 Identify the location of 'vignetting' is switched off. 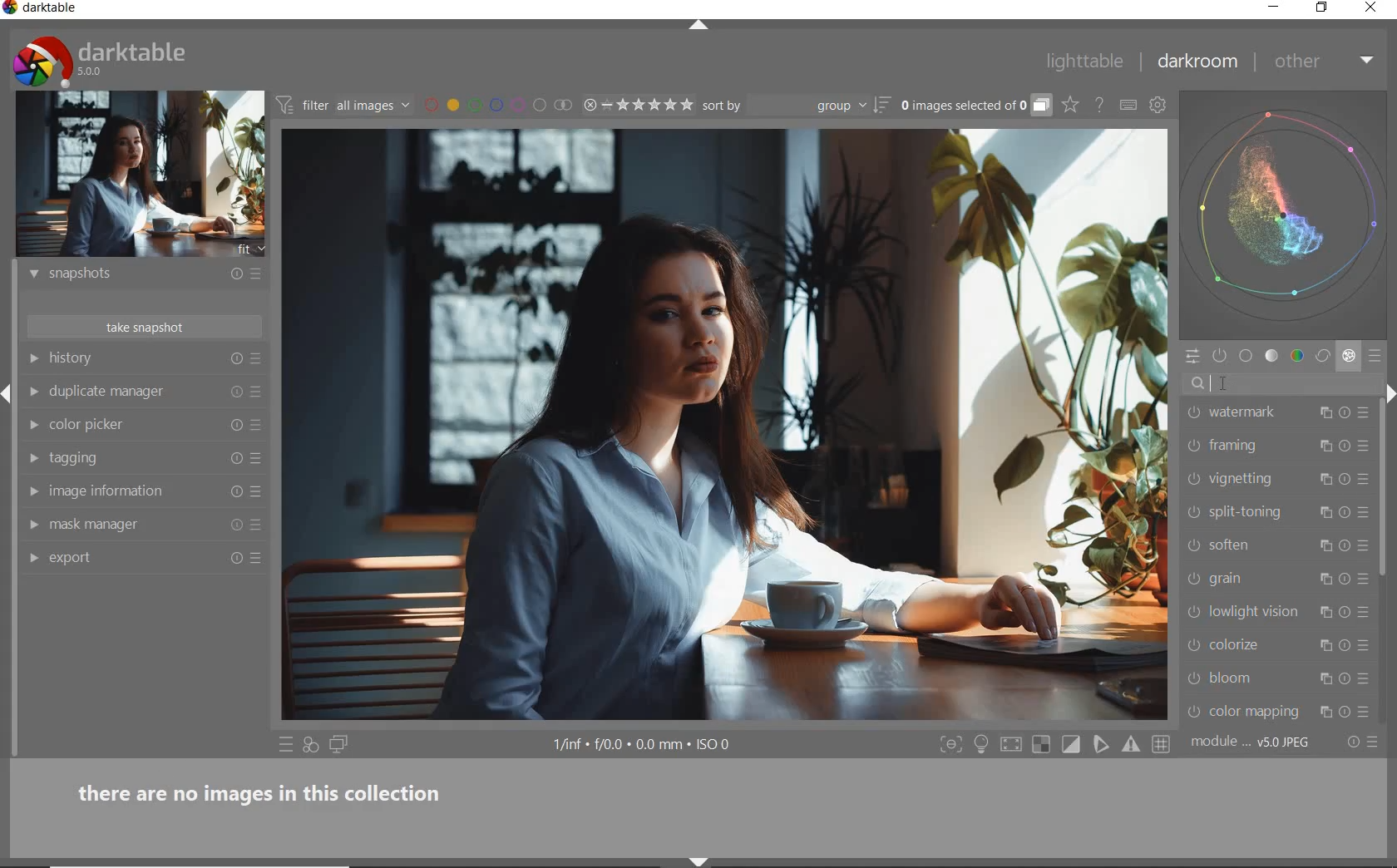
(1193, 478).